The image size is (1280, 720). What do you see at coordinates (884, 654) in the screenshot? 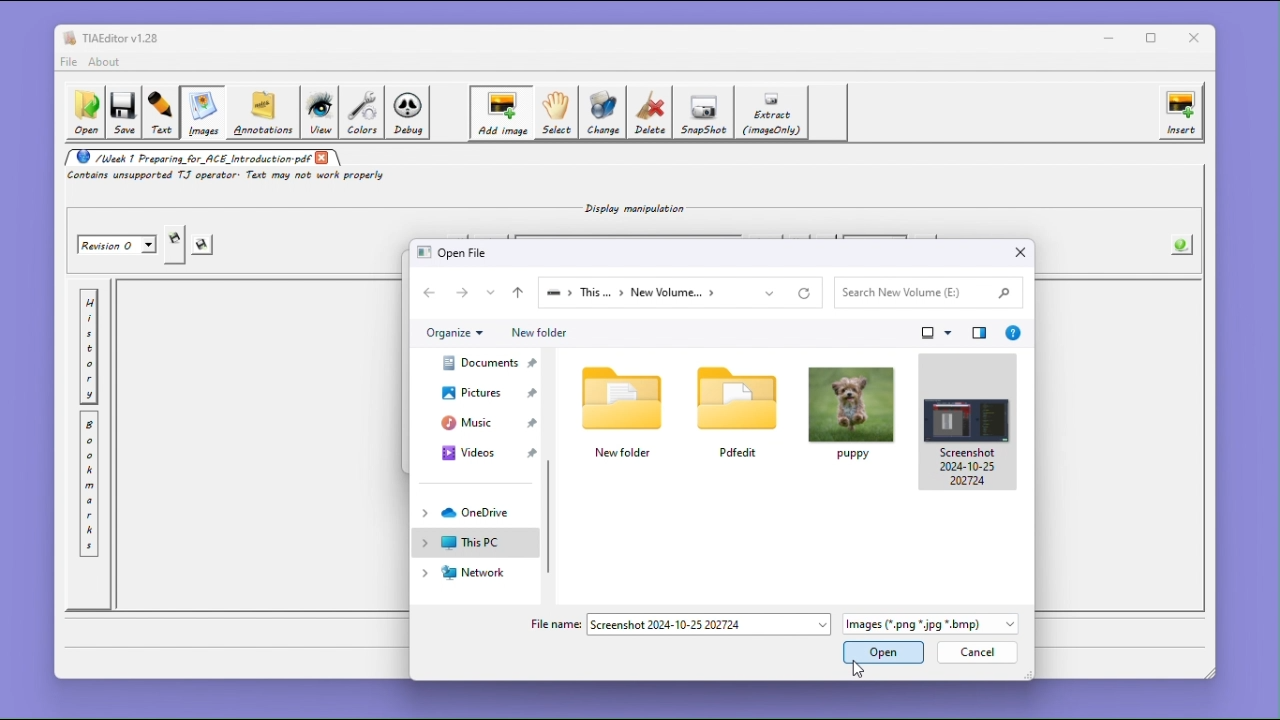
I see `open` at bounding box center [884, 654].